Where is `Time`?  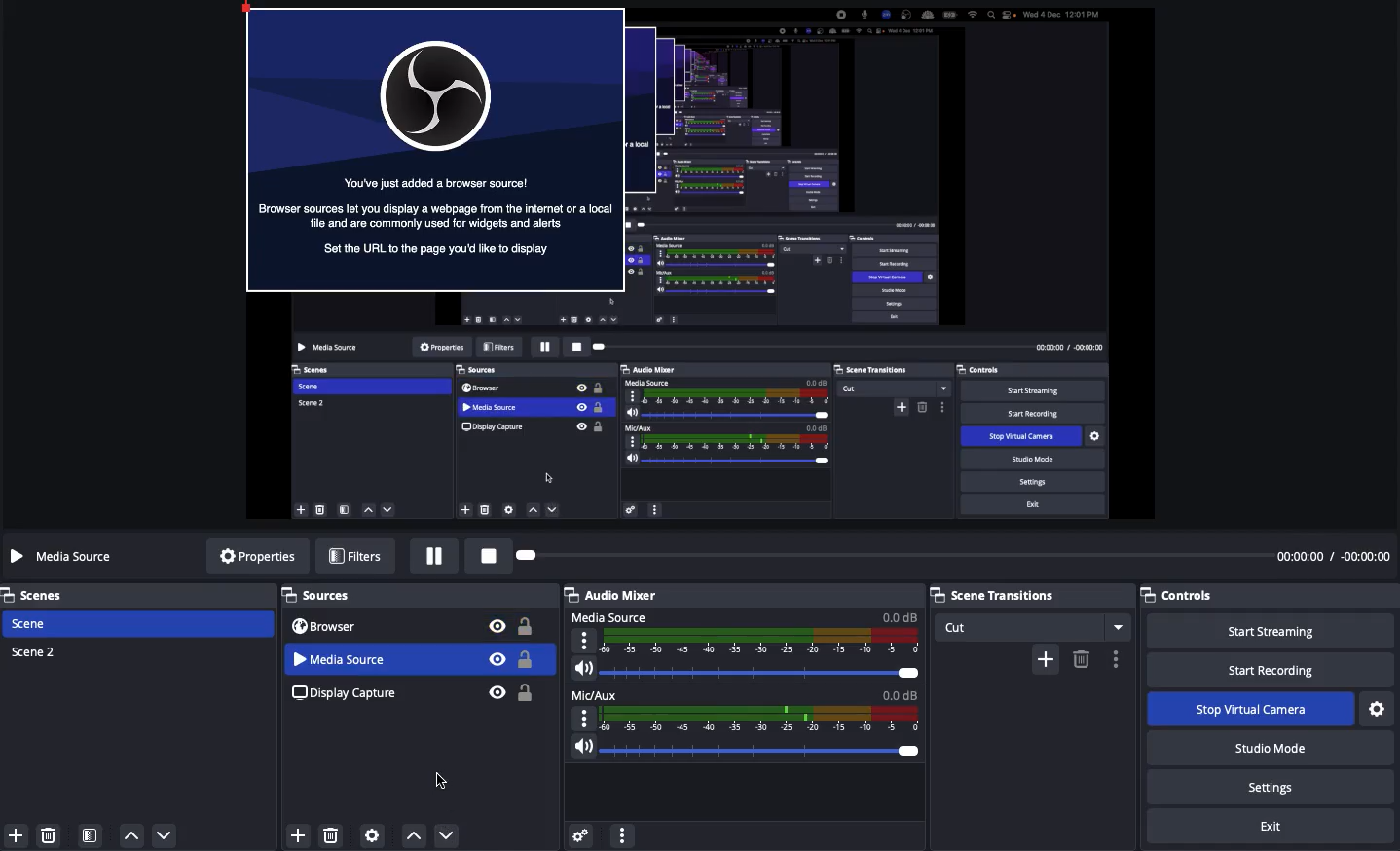 Time is located at coordinates (1332, 556).